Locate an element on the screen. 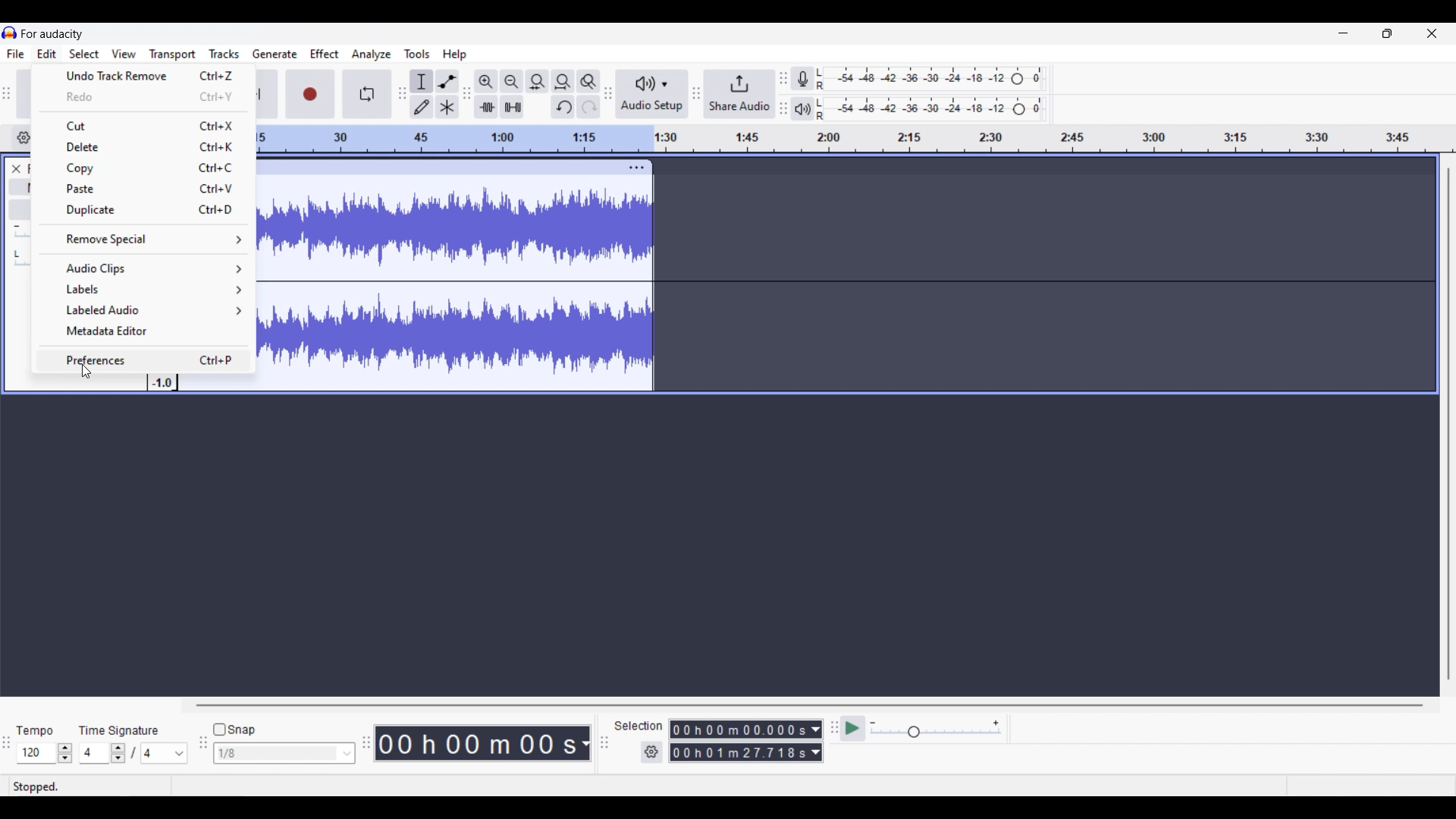 The height and width of the screenshot is (819, 1456). Snap is located at coordinates (234, 729).